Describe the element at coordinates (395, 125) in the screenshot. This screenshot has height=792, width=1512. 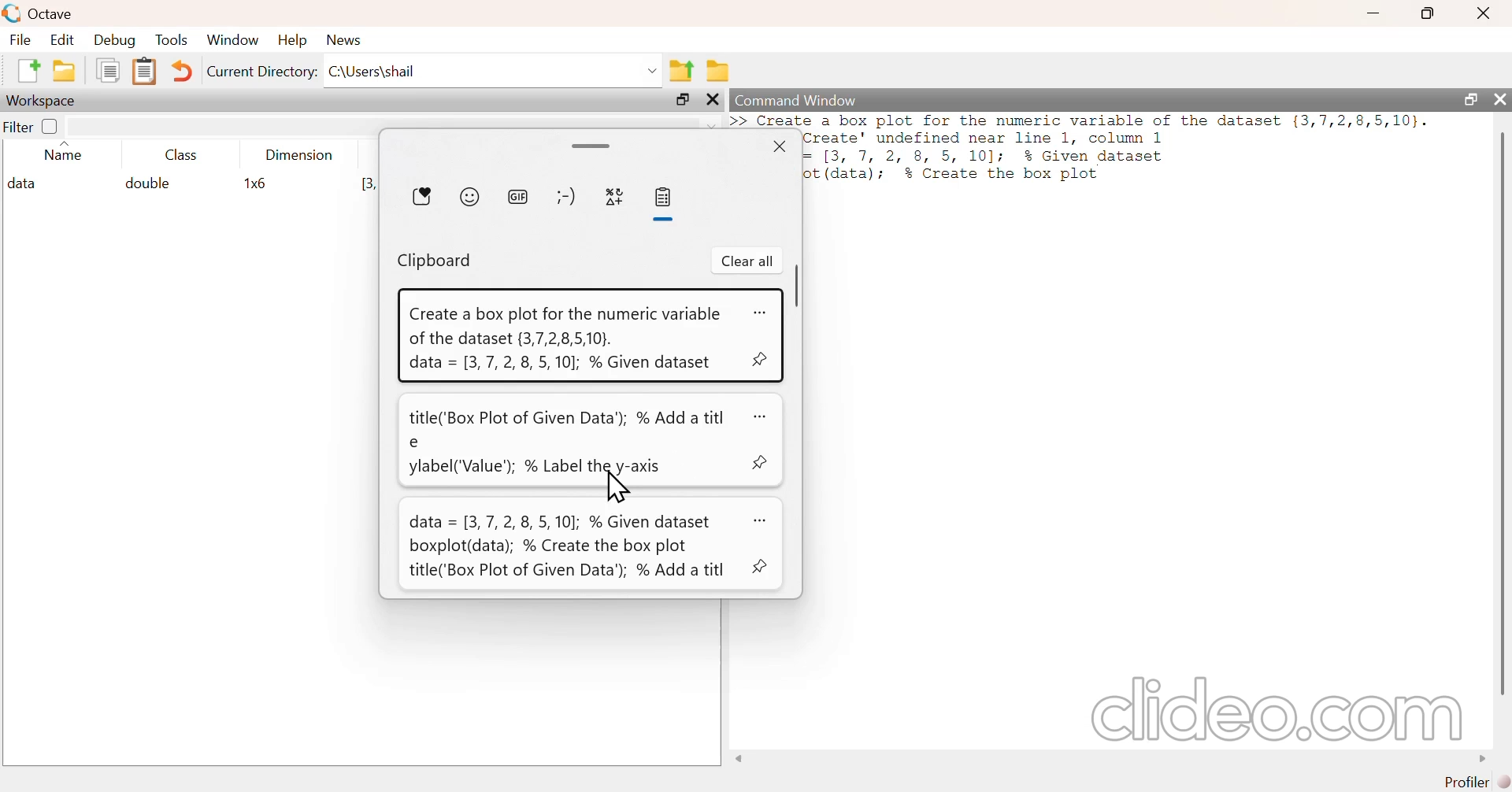
I see `filter input field` at that location.